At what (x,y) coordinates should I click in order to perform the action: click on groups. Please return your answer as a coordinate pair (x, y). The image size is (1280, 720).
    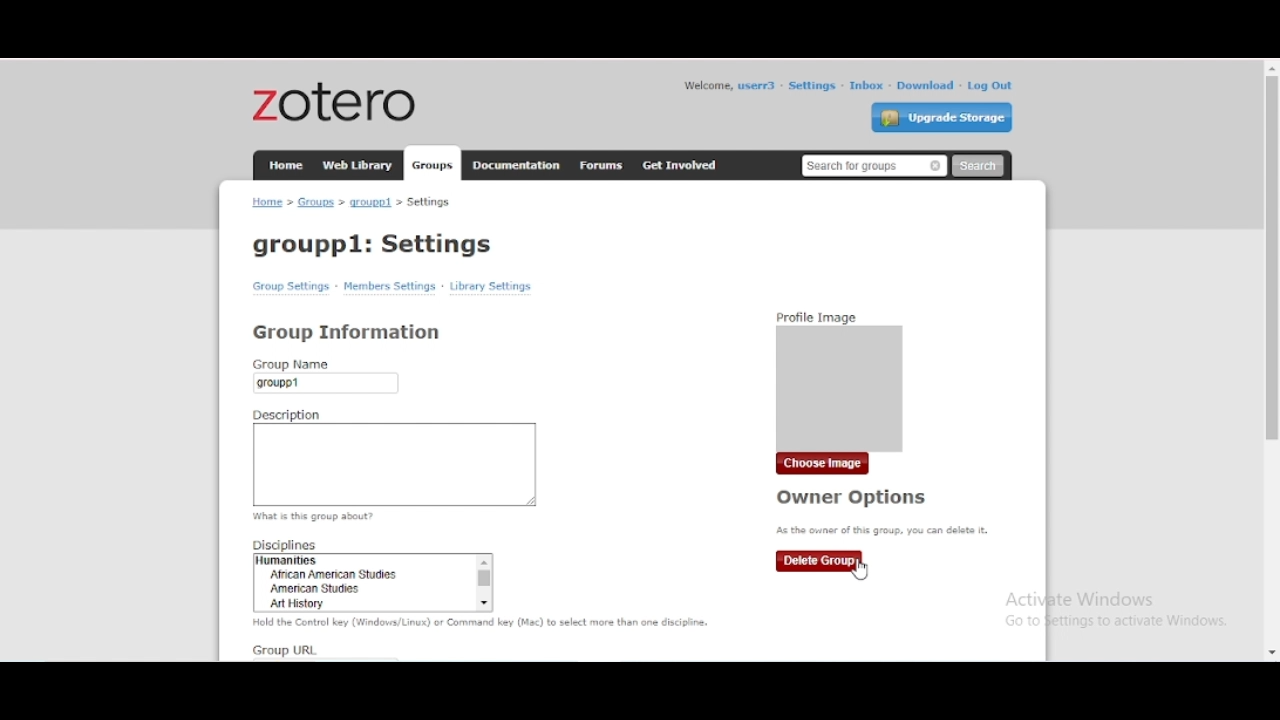
    Looking at the image, I should click on (317, 202).